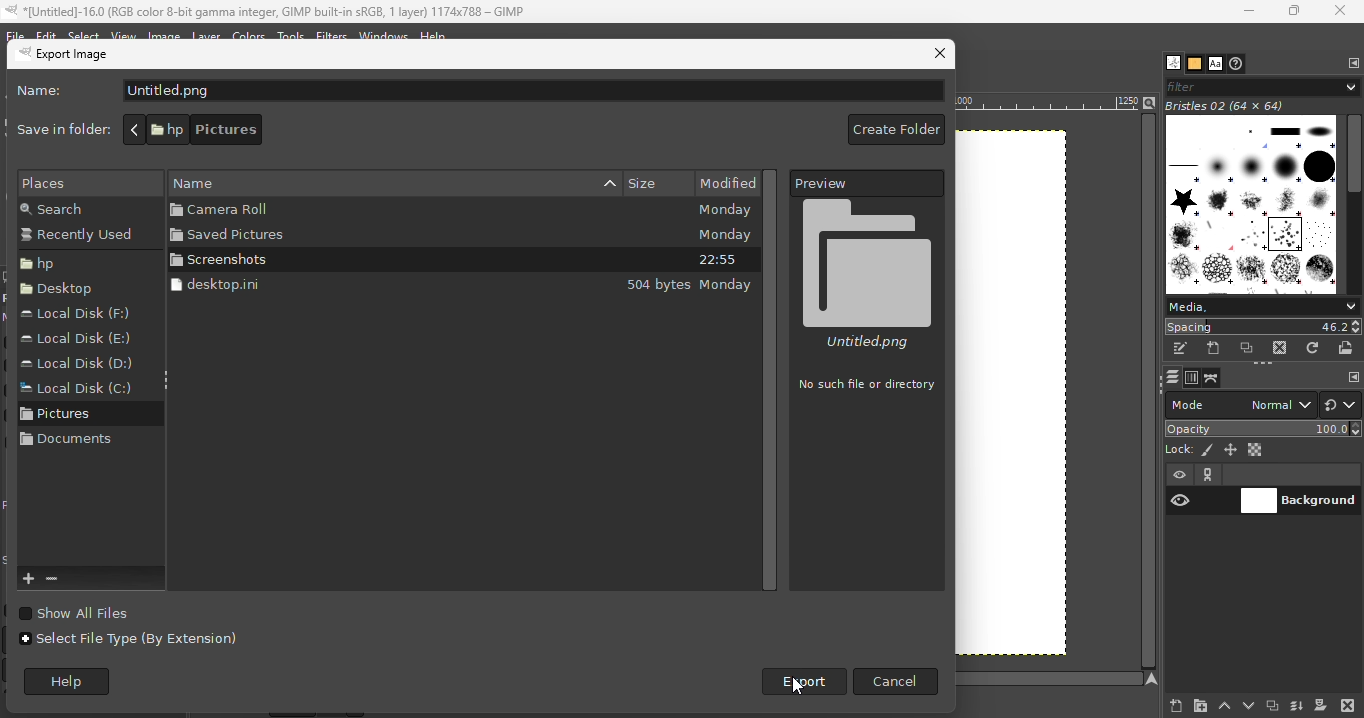 Image resolution: width=1364 pixels, height=718 pixels. I want to click on Document history, so click(1237, 64).